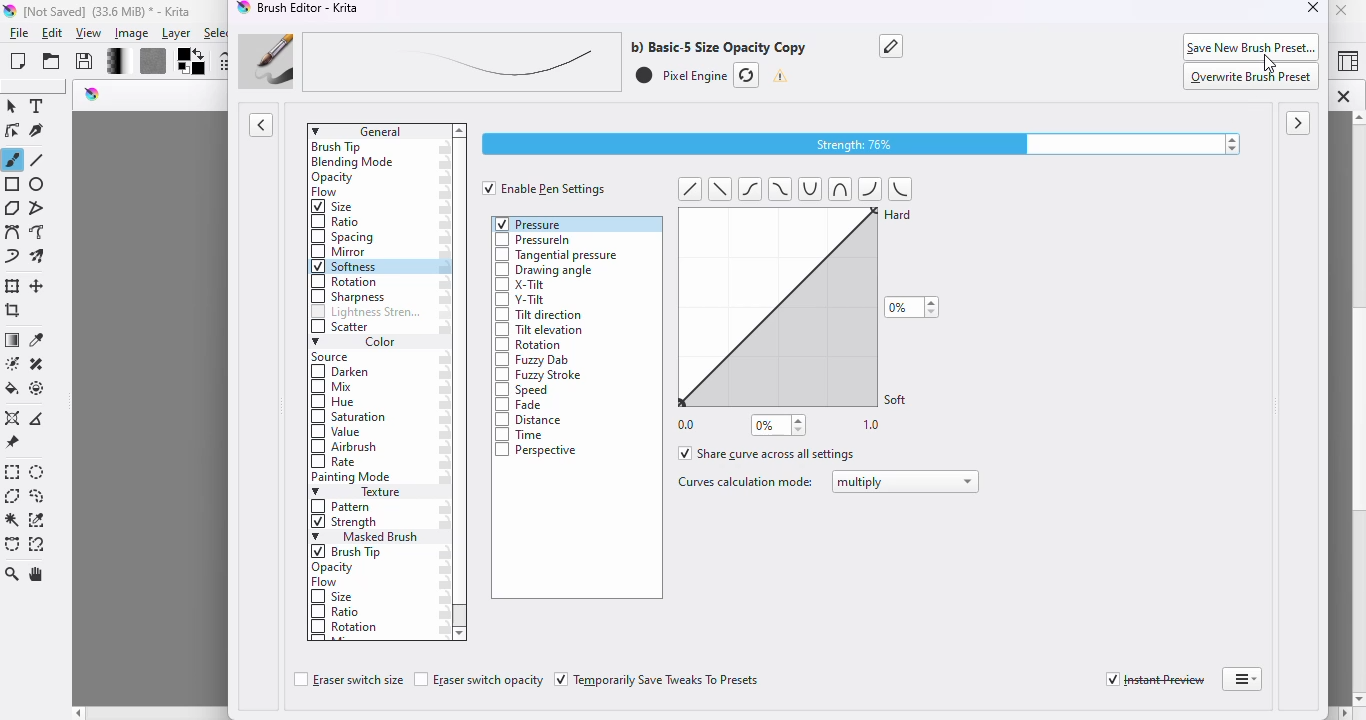 Image resolution: width=1366 pixels, height=720 pixels. What do you see at coordinates (912, 307) in the screenshot?
I see `0% ` at bounding box center [912, 307].